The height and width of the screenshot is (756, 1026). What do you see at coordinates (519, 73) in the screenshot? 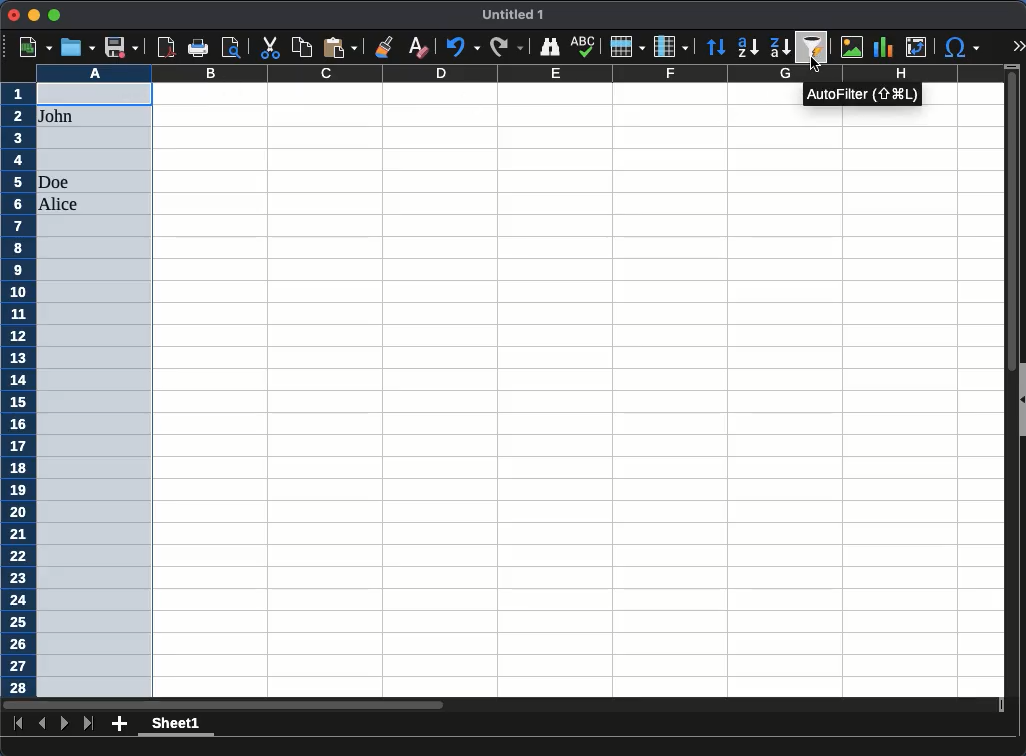
I see `column` at bounding box center [519, 73].